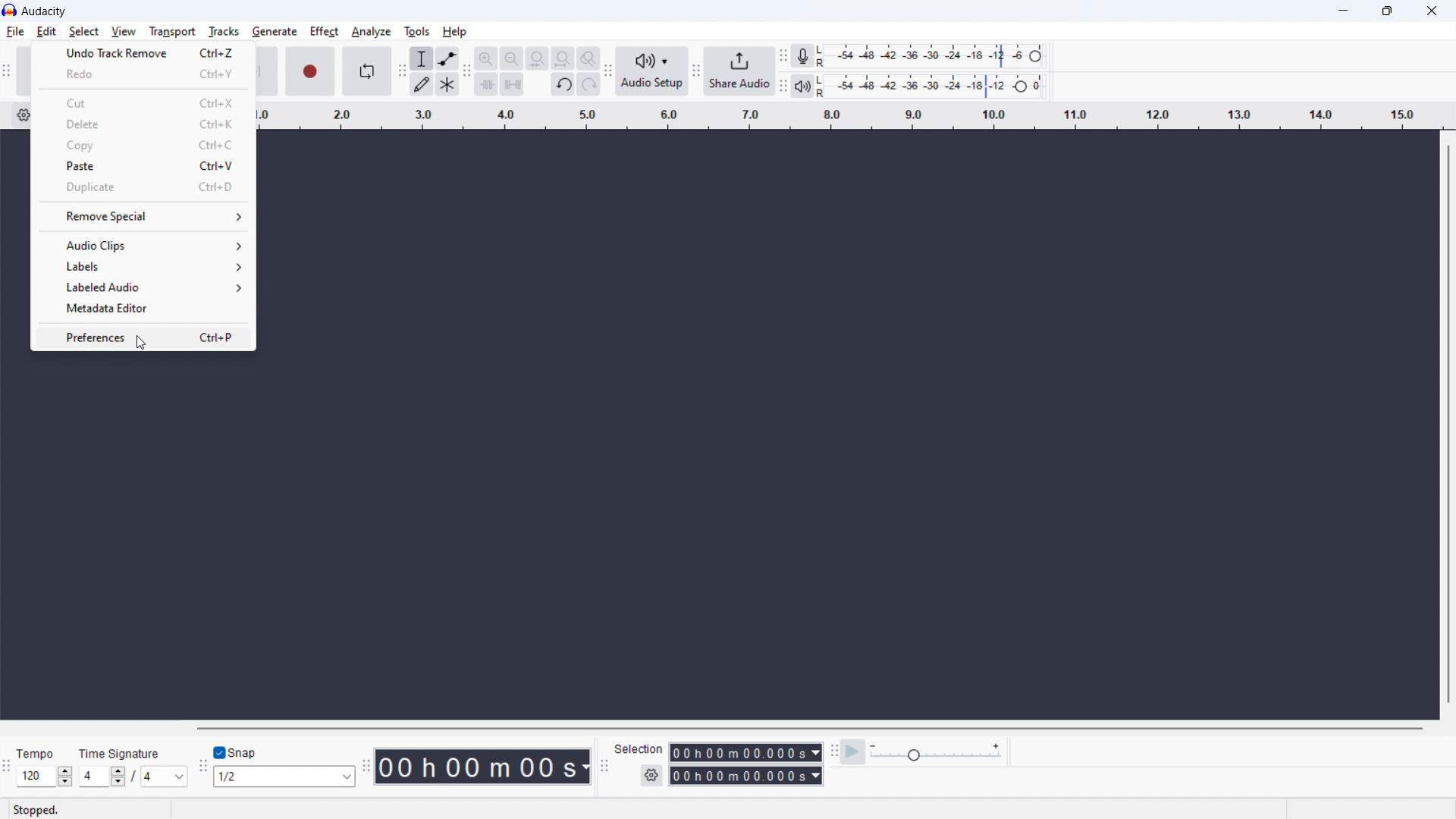 This screenshot has width=1456, height=819. What do you see at coordinates (284, 776) in the screenshot?
I see `set snapping` at bounding box center [284, 776].